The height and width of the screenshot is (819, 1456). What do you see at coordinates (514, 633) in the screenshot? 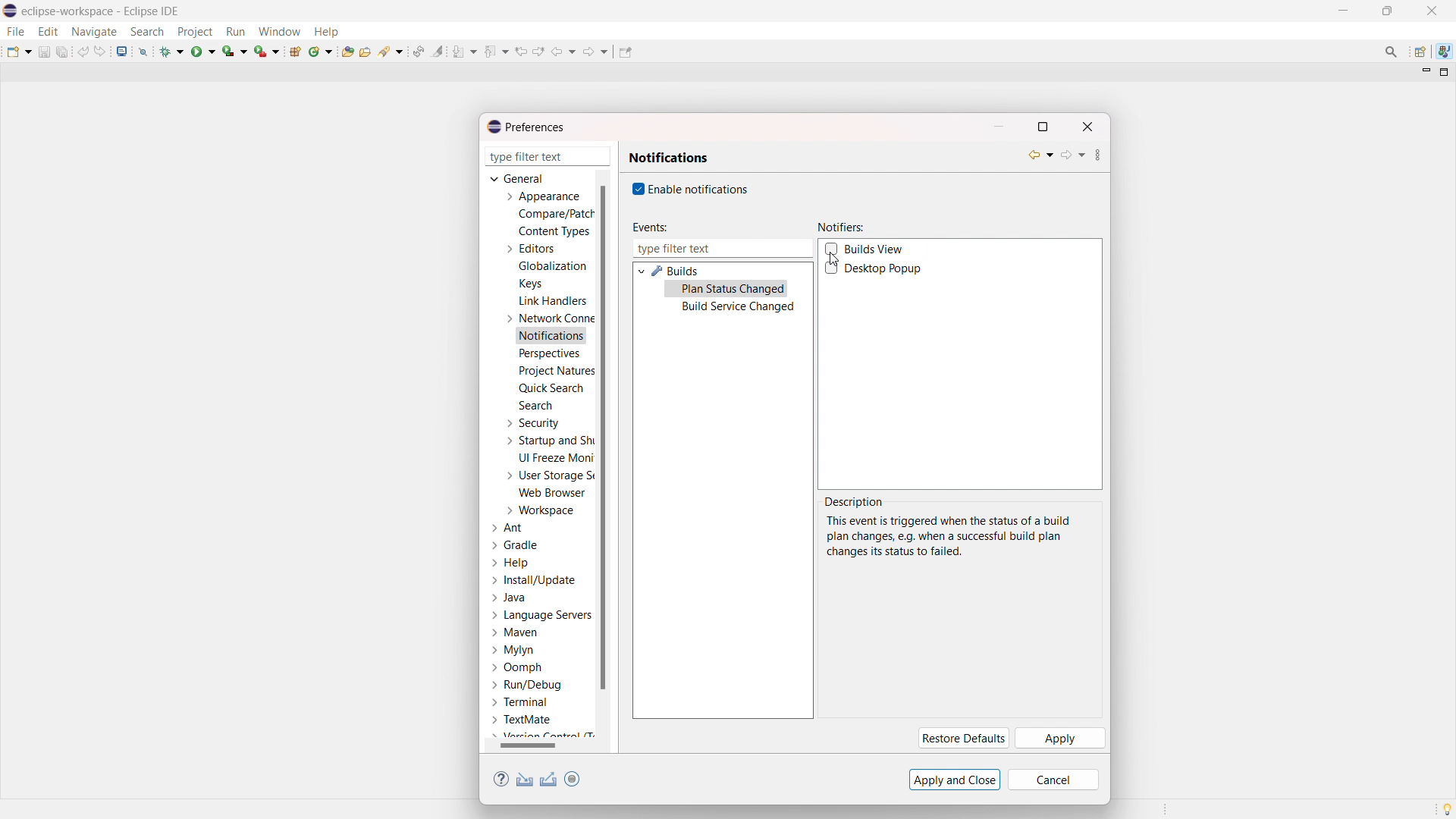
I see `maven` at bounding box center [514, 633].